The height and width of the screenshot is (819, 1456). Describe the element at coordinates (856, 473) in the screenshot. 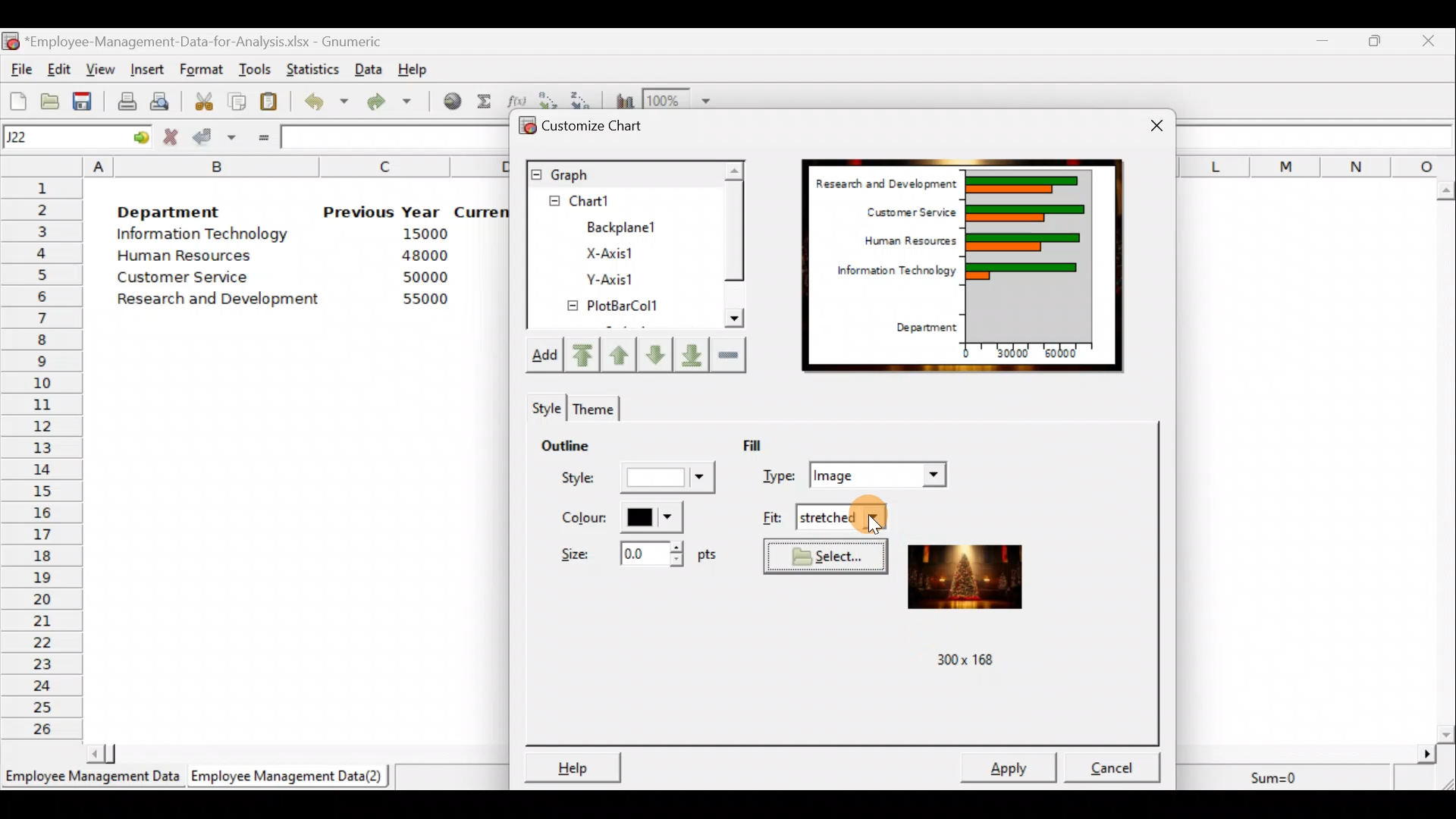

I see `Type` at that location.